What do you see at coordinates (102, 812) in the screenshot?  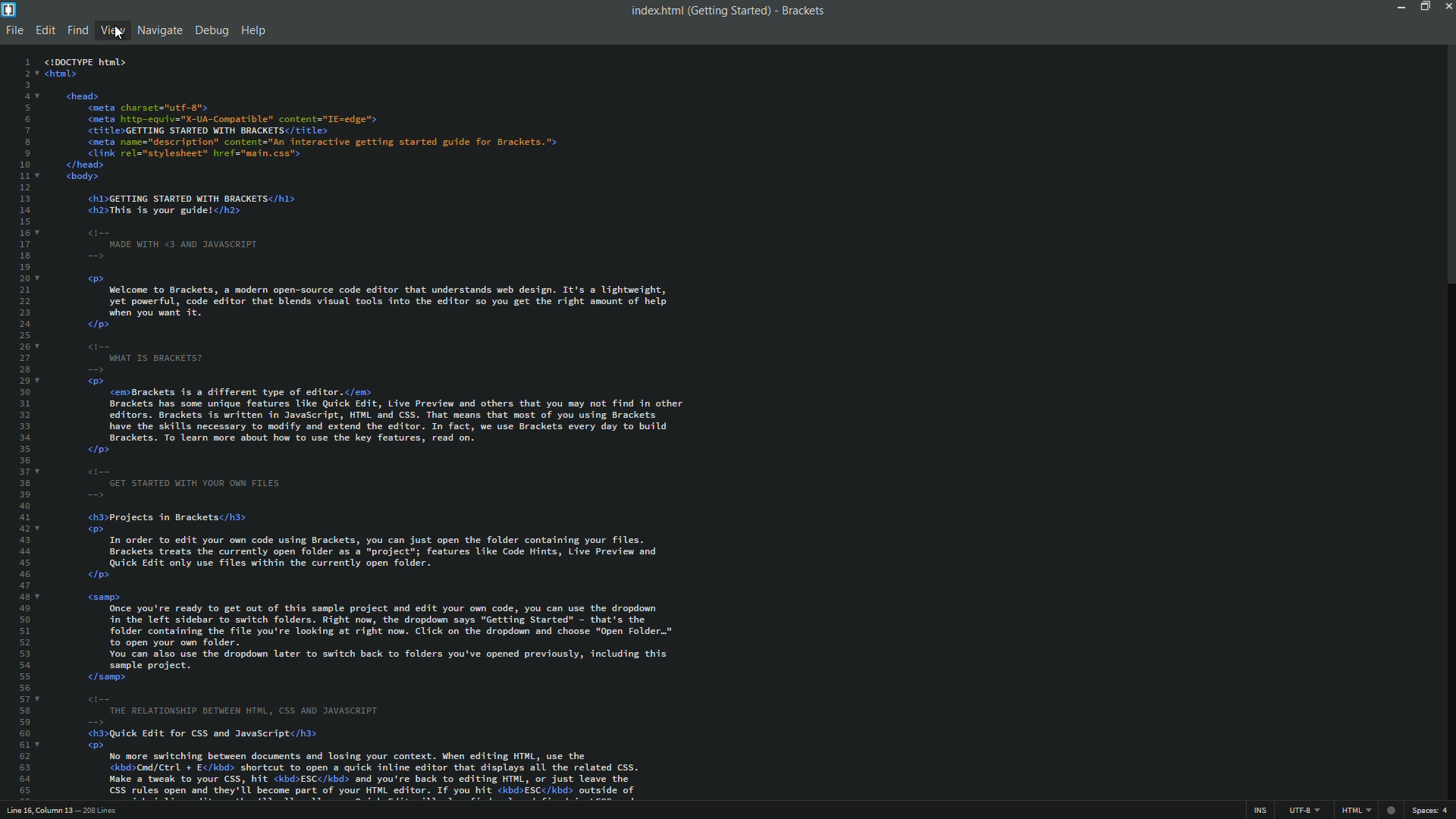 I see `number of lines` at bounding box center [102, 812].